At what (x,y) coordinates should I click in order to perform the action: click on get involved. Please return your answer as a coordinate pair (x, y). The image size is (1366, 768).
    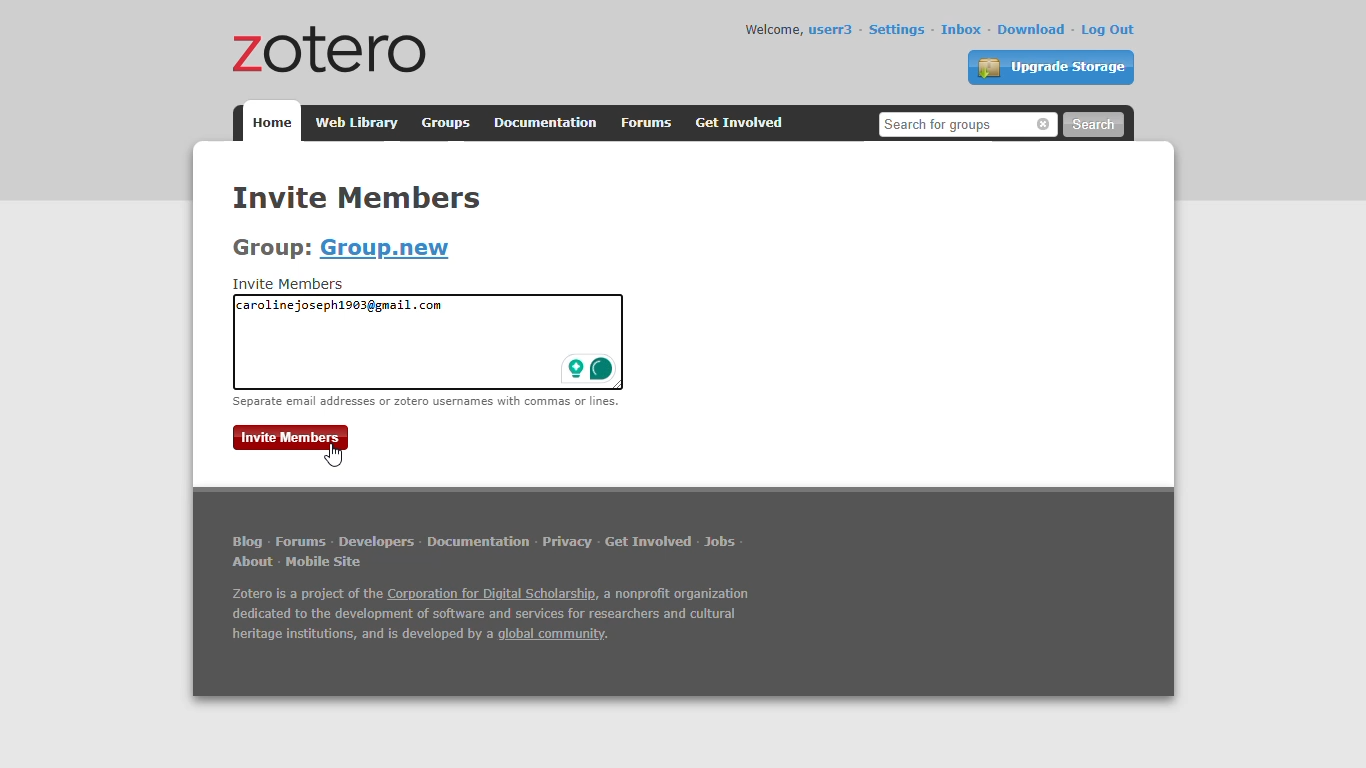
    Looking at the image, I should click on (739, 123).